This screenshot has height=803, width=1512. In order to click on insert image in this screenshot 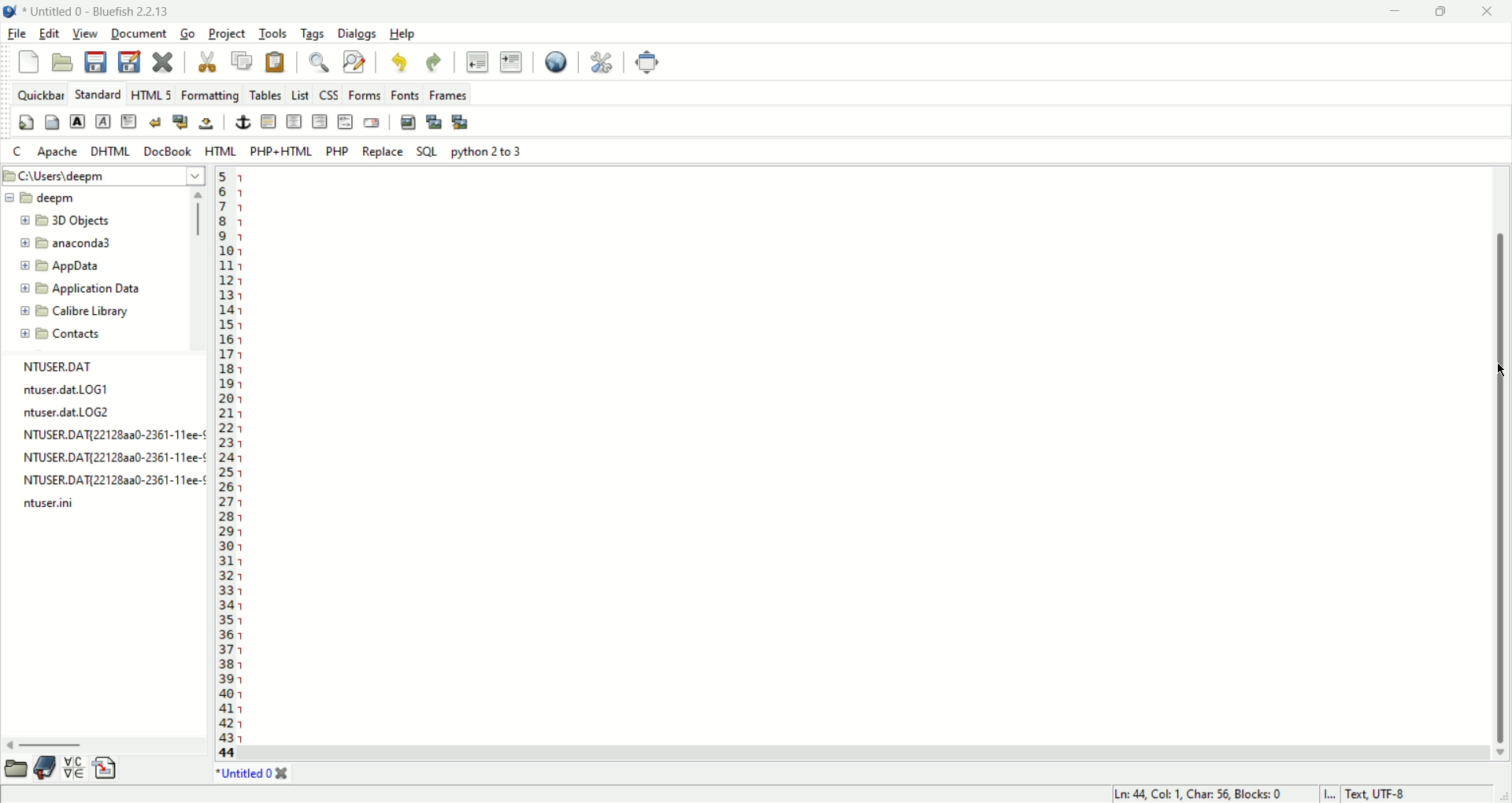, I will do `click(407, 121)`.